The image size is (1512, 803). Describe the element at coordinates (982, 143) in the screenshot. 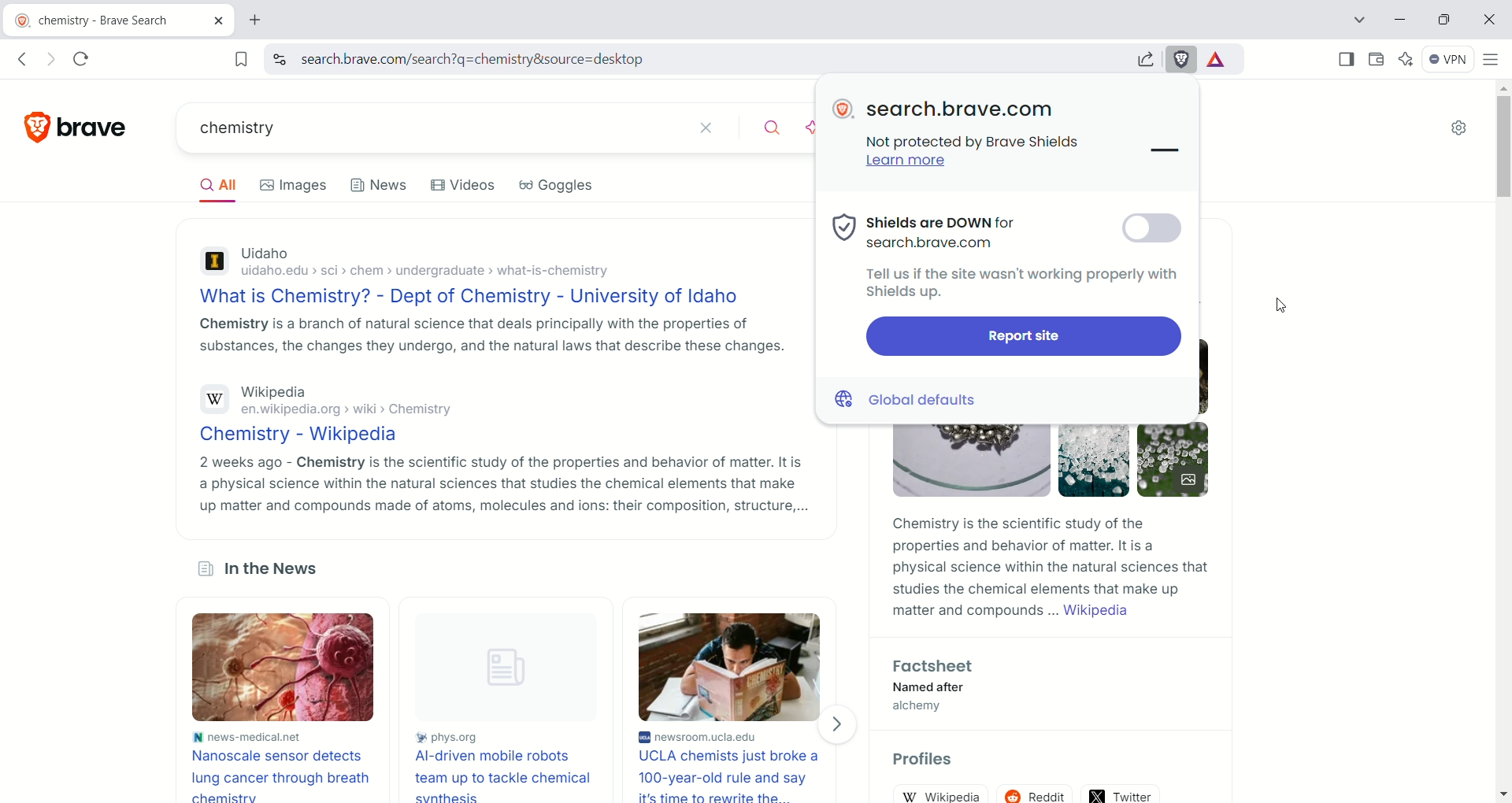

I see `Not protected by brave search` at that location.